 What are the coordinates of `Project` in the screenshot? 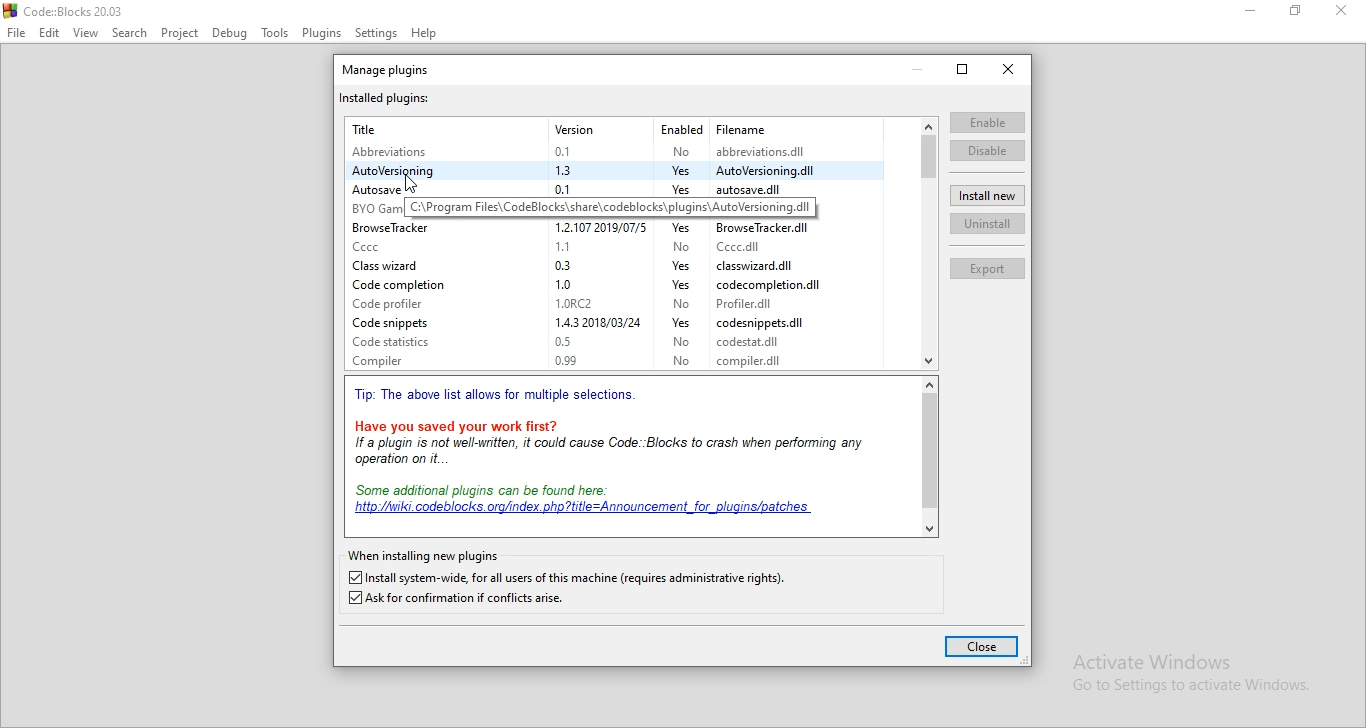 It's located at (179, 33).